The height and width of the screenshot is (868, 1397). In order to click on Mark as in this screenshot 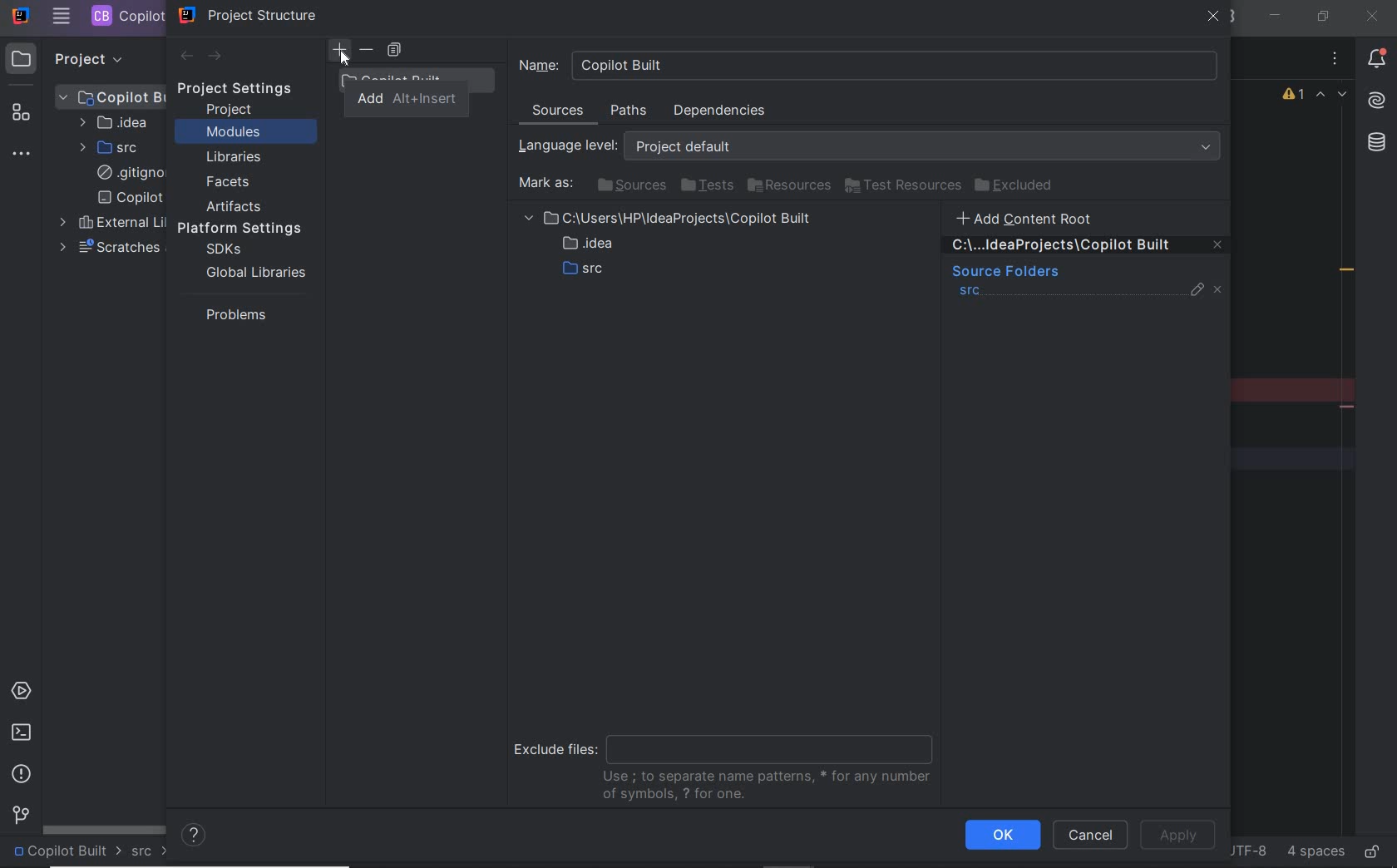, I will do `click(544, 184)`.